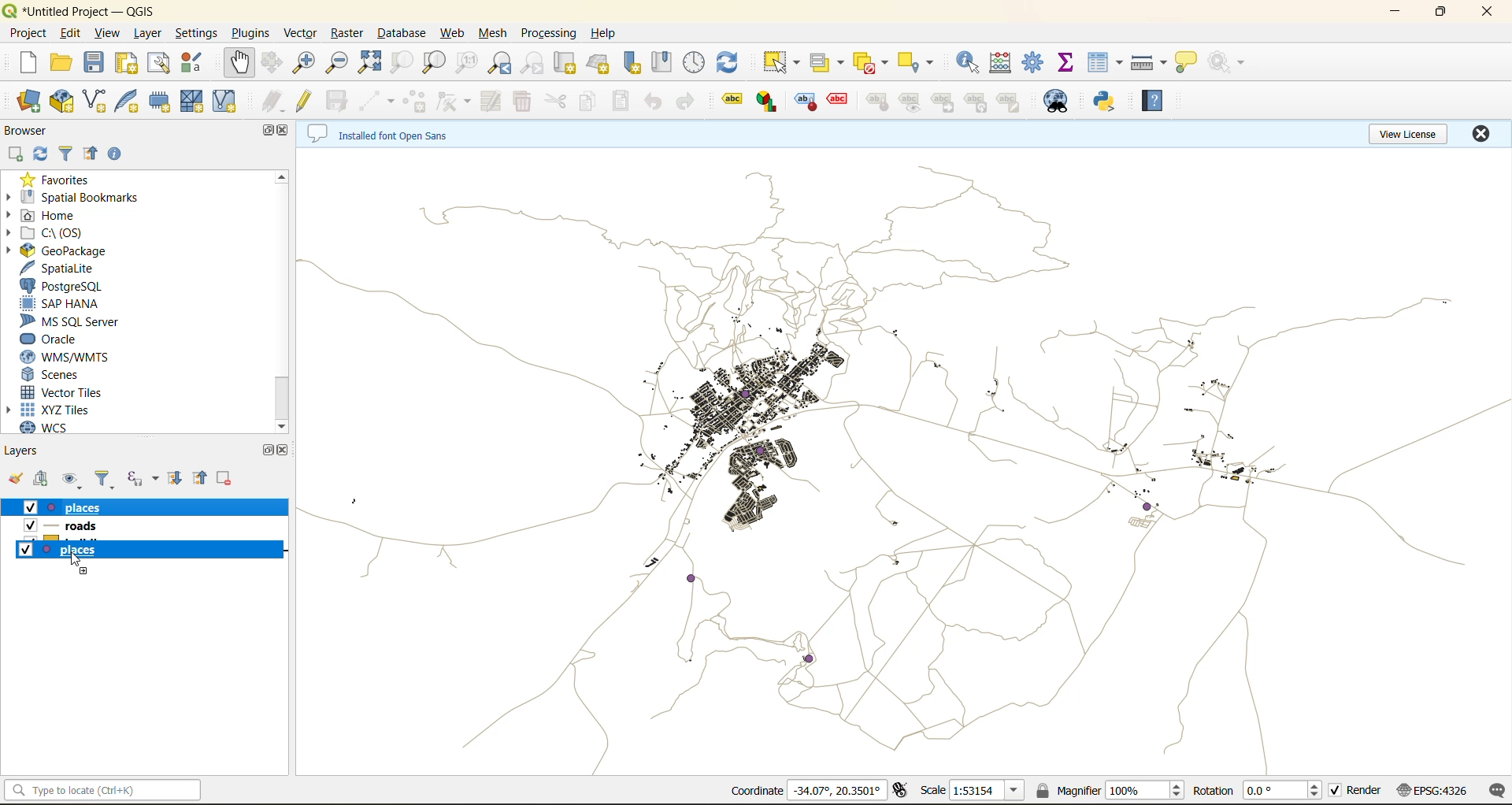 Image resolution: width=1512 pixels, height=805 pixels. I want to click on processing, so click(550, 33).